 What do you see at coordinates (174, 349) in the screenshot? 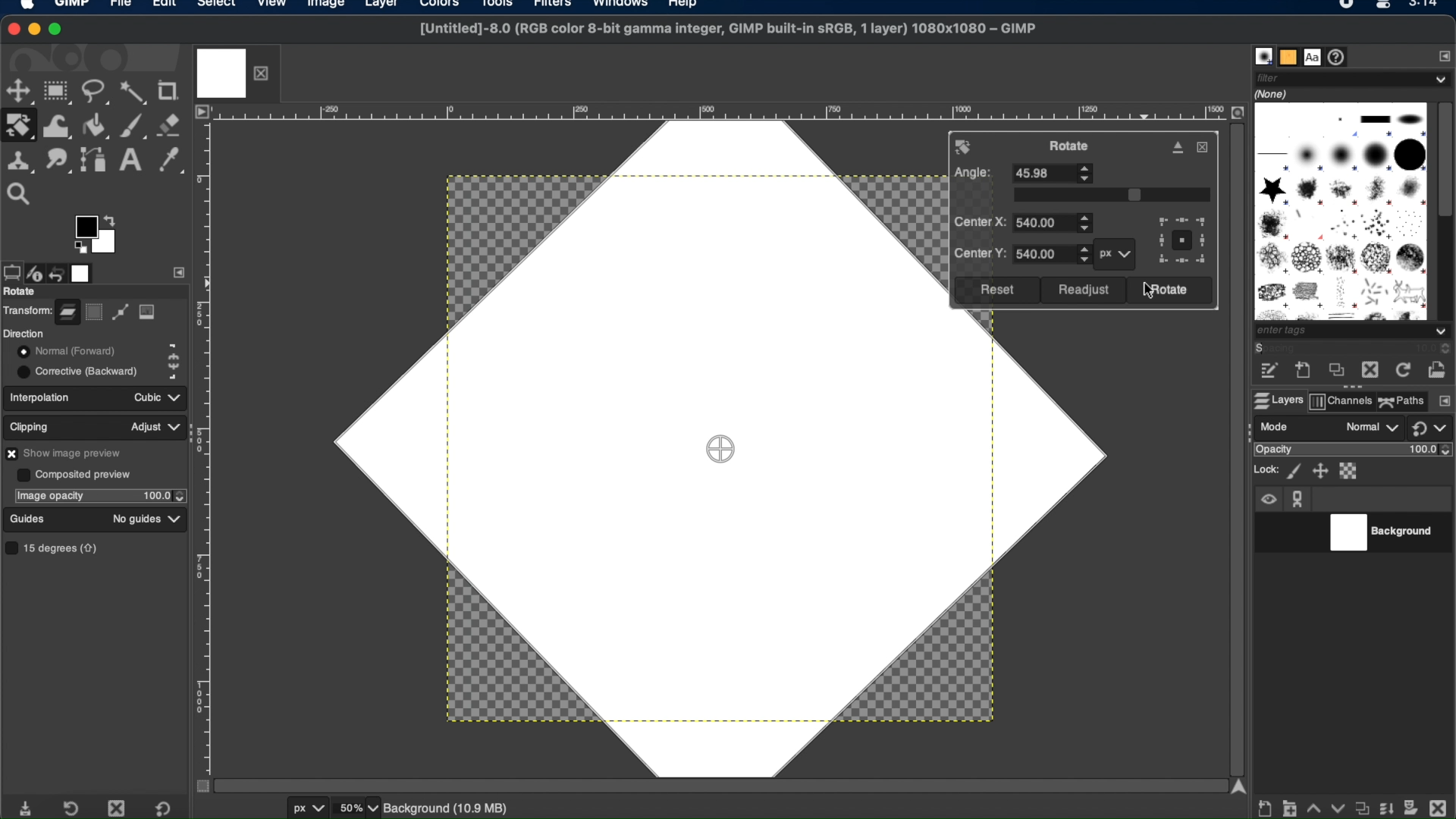
I see `normal forward` at bounding box center [174, 349].